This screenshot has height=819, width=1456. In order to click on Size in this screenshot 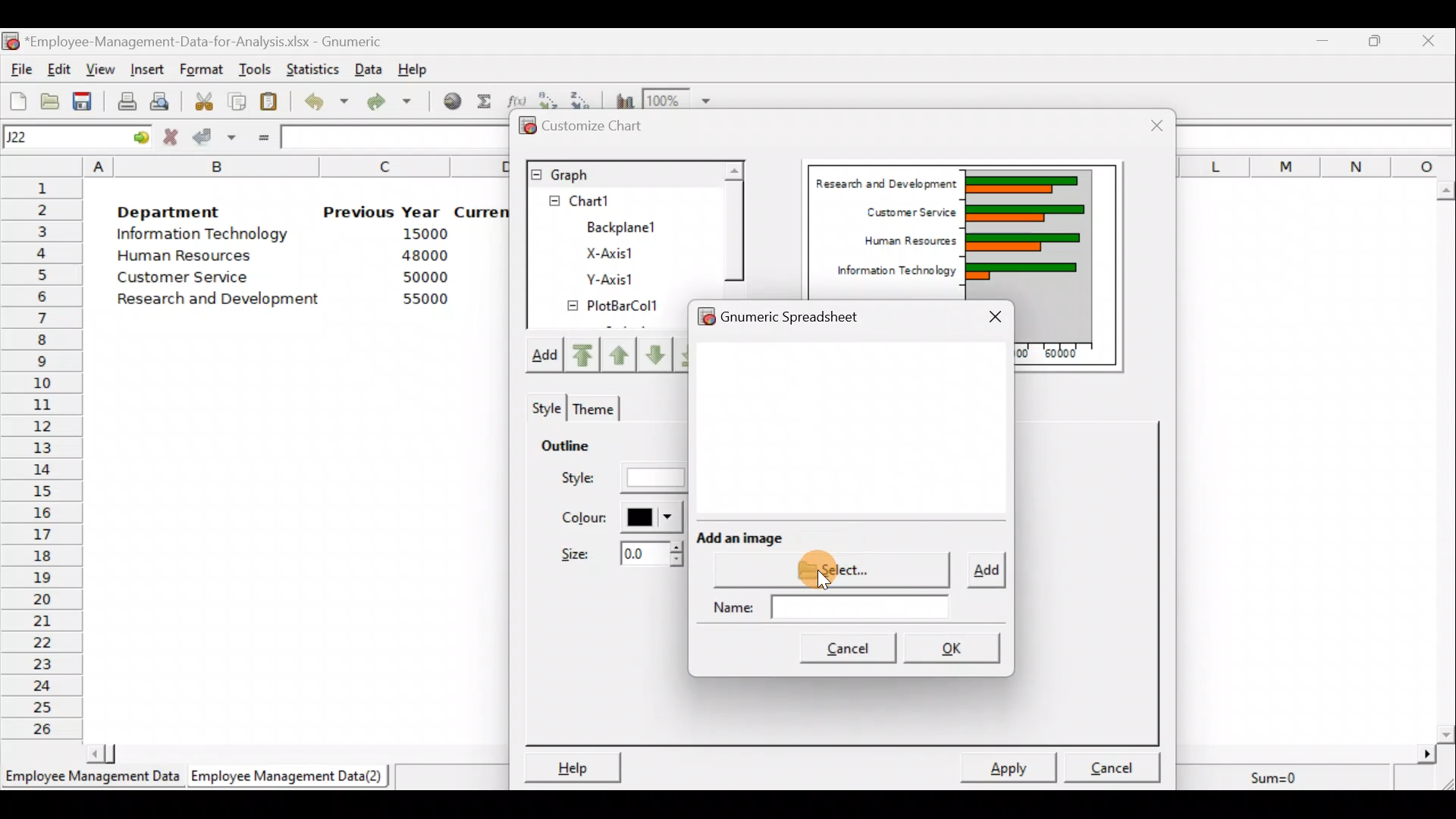, I will do `click(613, 558)`.